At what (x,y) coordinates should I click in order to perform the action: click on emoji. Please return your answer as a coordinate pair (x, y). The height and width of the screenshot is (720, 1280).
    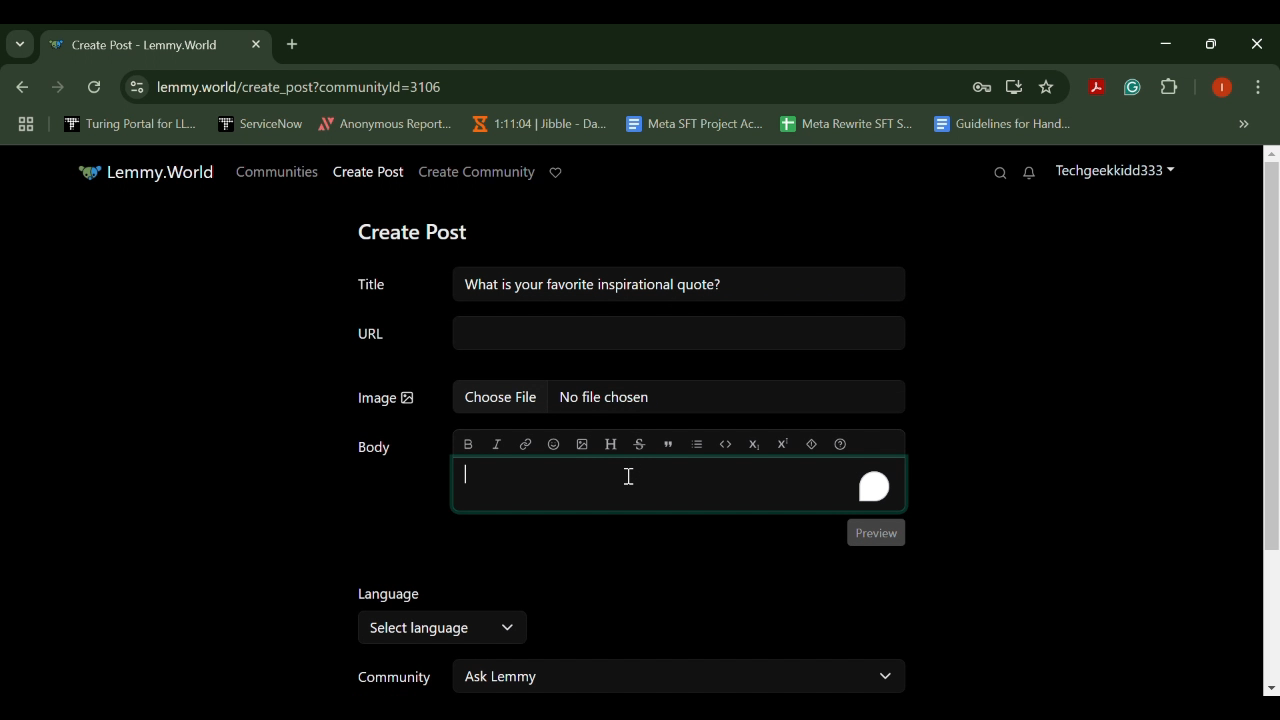
    Looking at the image, I should click on (552, 444).